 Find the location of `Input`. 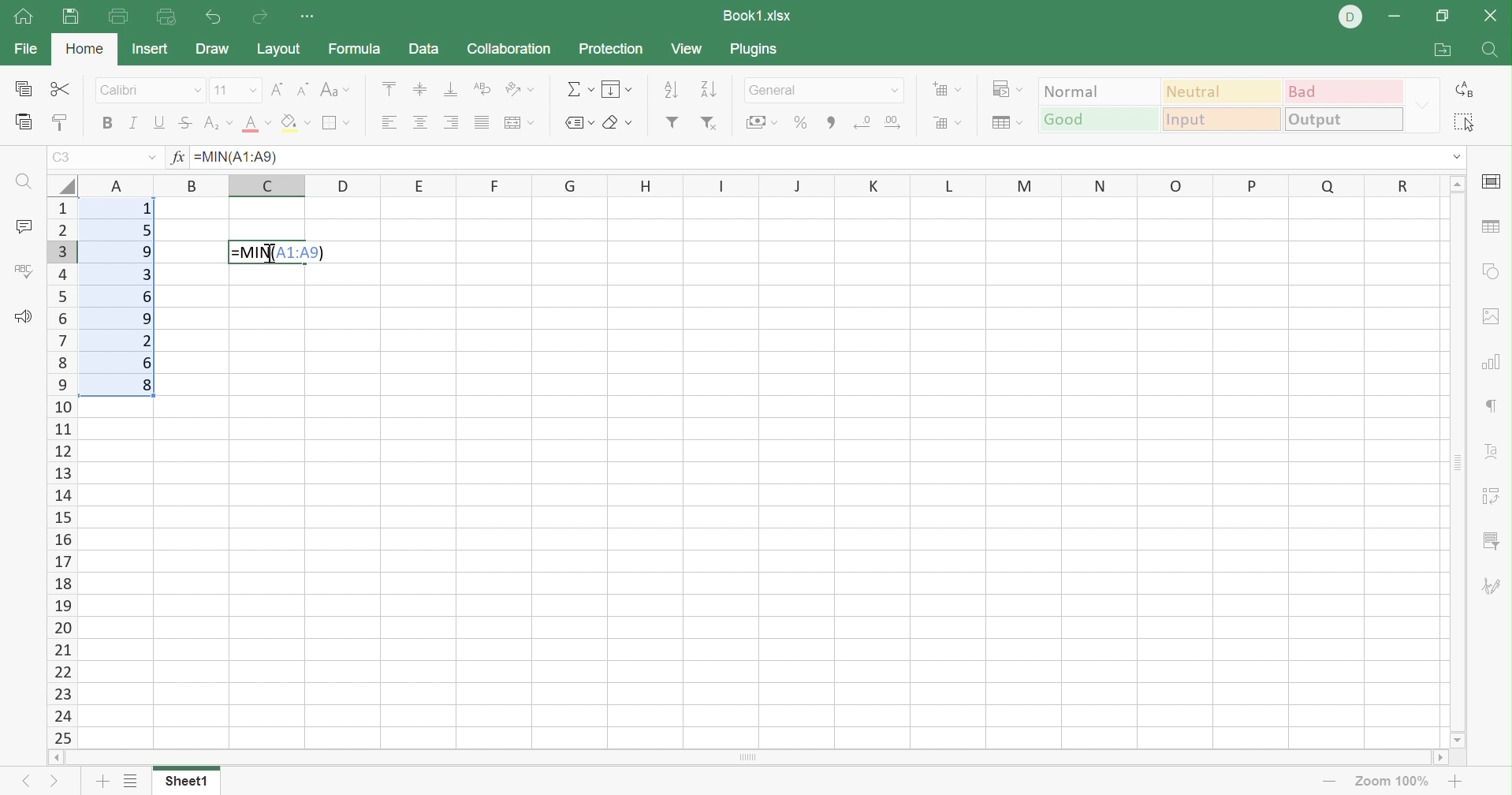

Input is located at coordinates (1220, 120).